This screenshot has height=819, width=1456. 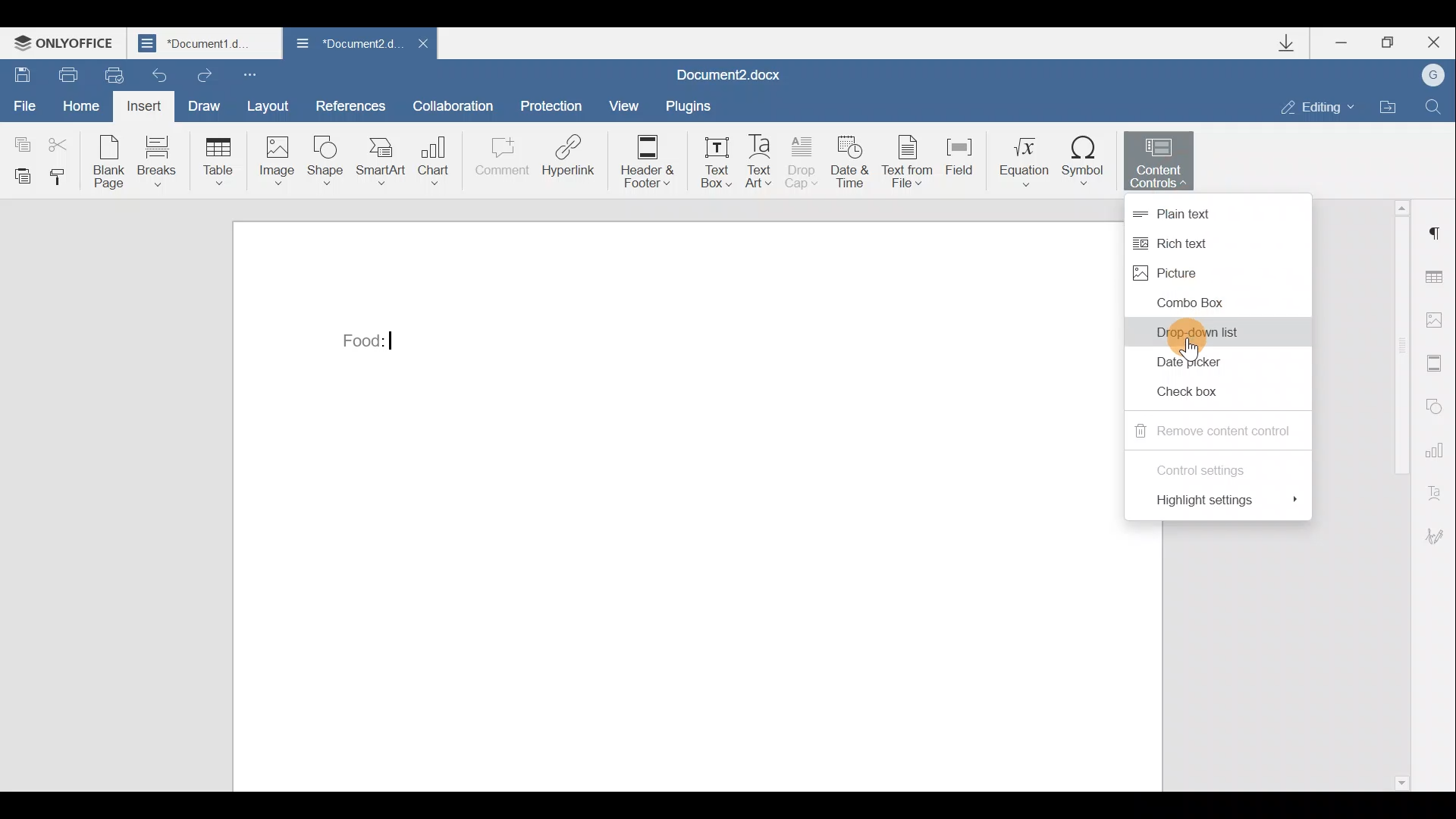 What do you see at coordinates (202, 104) in the screenshot?
I see `Draw` at bounding box center [202, 104].